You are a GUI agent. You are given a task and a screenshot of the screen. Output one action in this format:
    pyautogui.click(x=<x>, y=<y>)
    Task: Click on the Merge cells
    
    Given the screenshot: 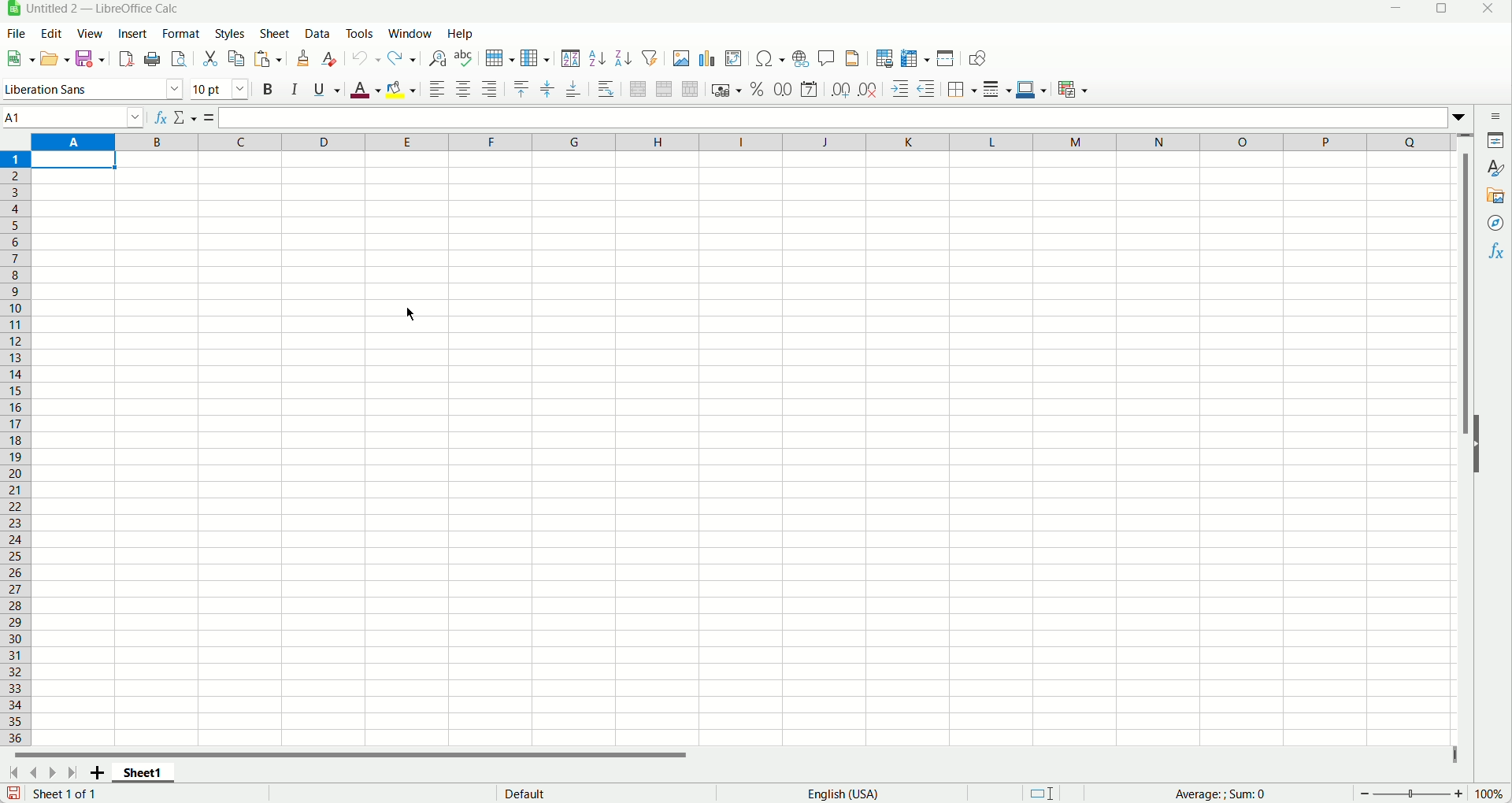 What is the action you would take?
    pyautogui.click(x=665, y=89)
    